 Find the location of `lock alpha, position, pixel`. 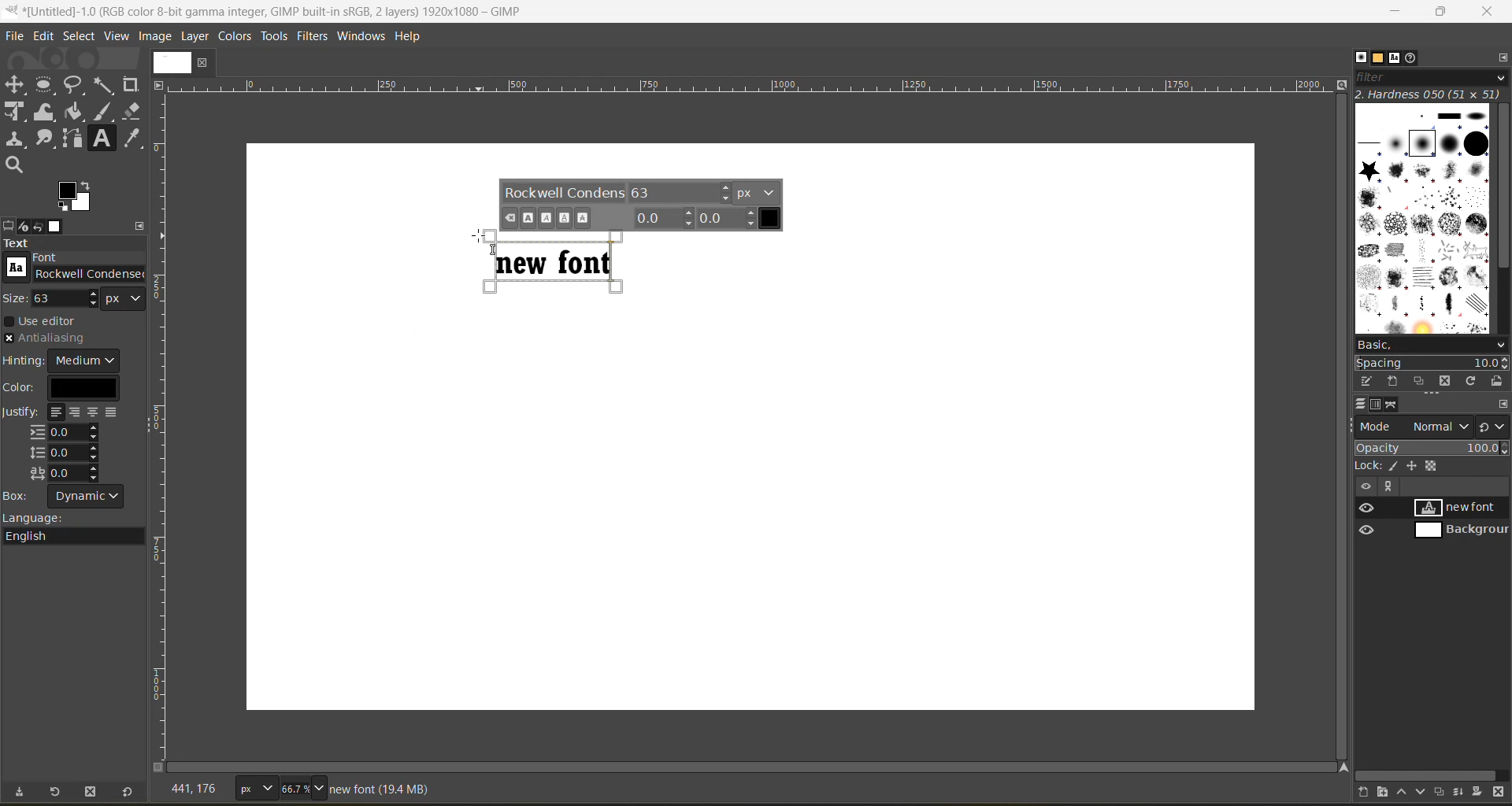

lock alpha, position, pixel is located at coordinates (1407, 464).